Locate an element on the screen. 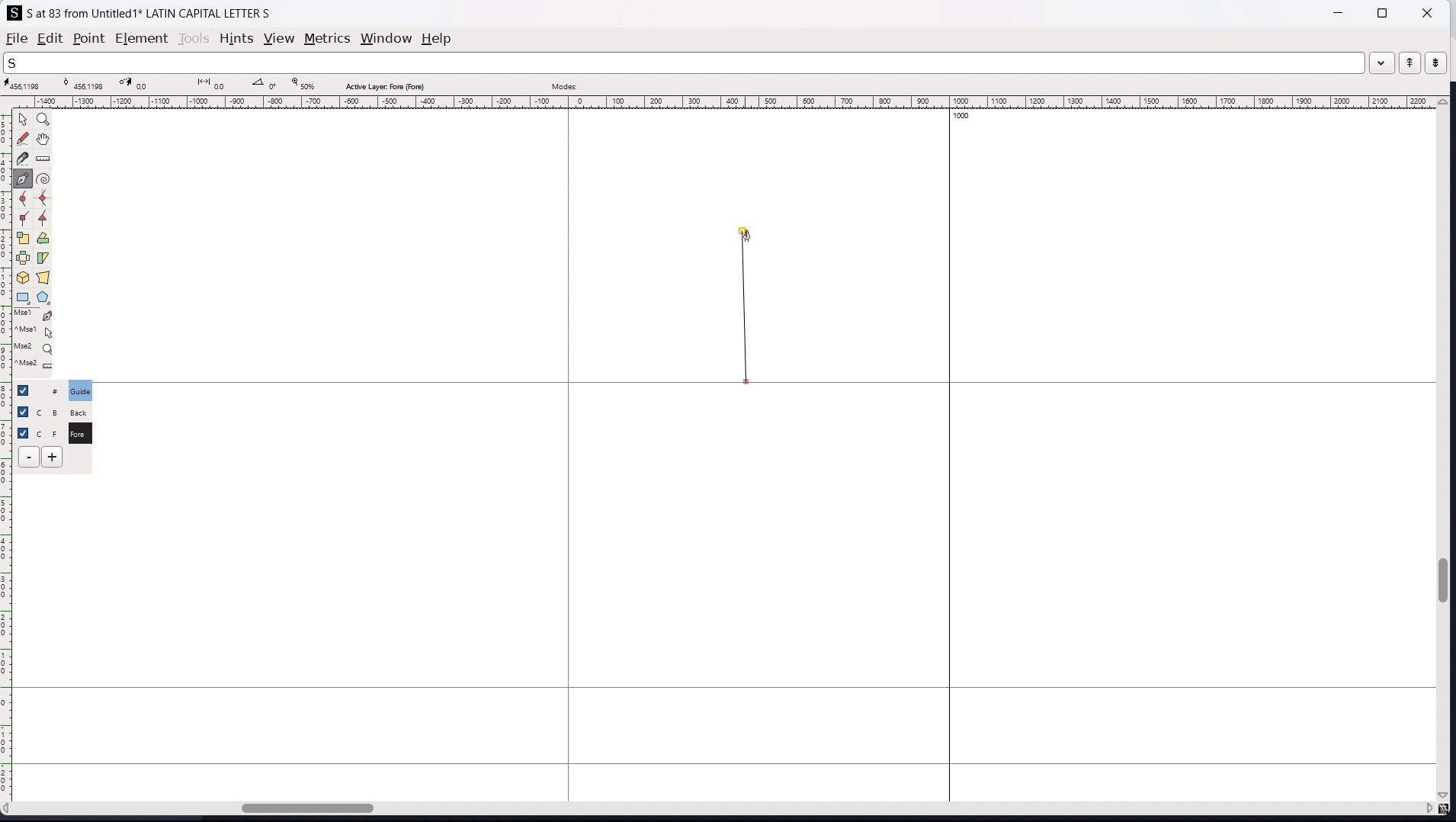  1000 is located at coordinates (966, 117).